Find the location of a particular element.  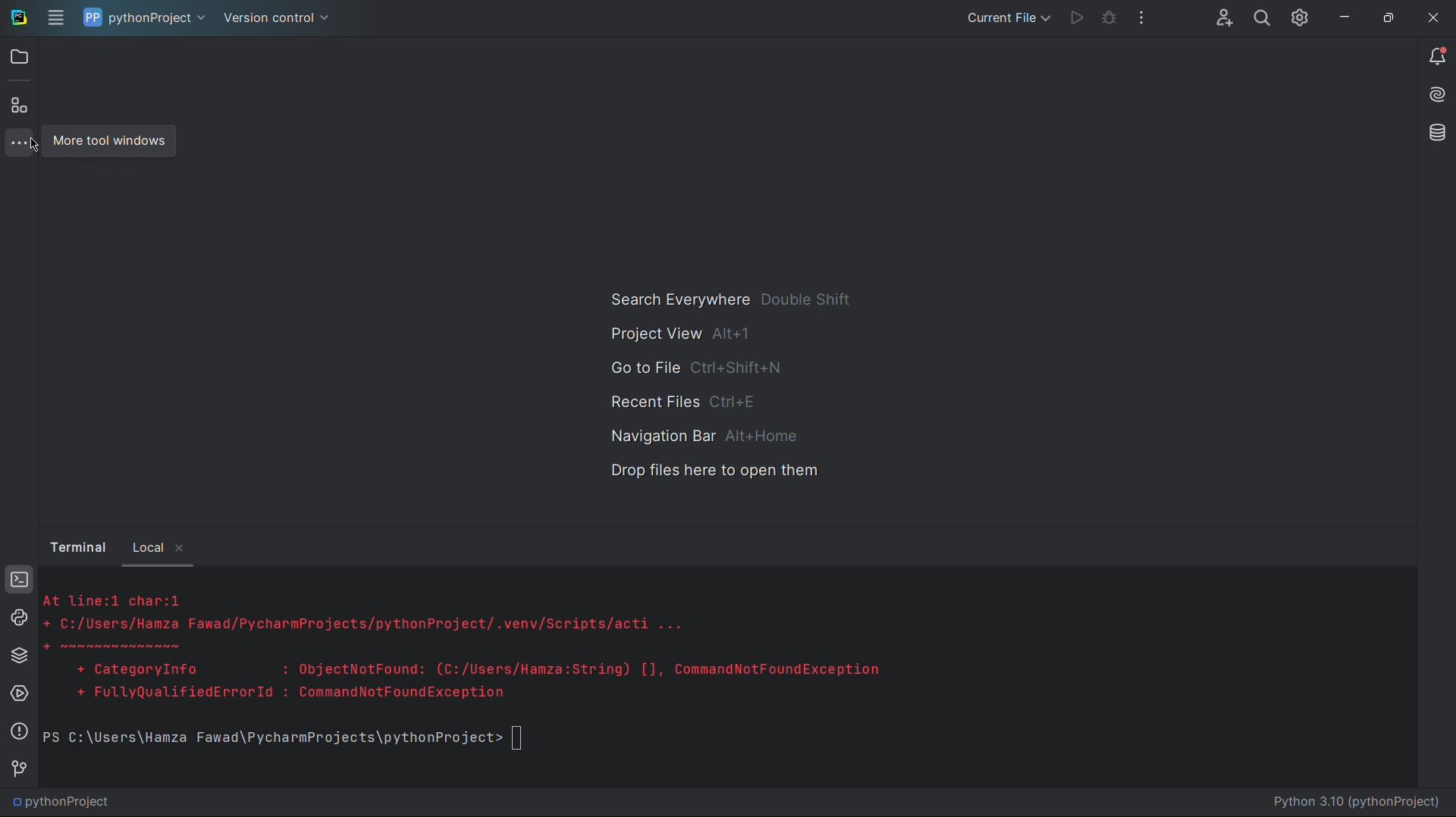

Maximize is located at coordinates (1385, 16).